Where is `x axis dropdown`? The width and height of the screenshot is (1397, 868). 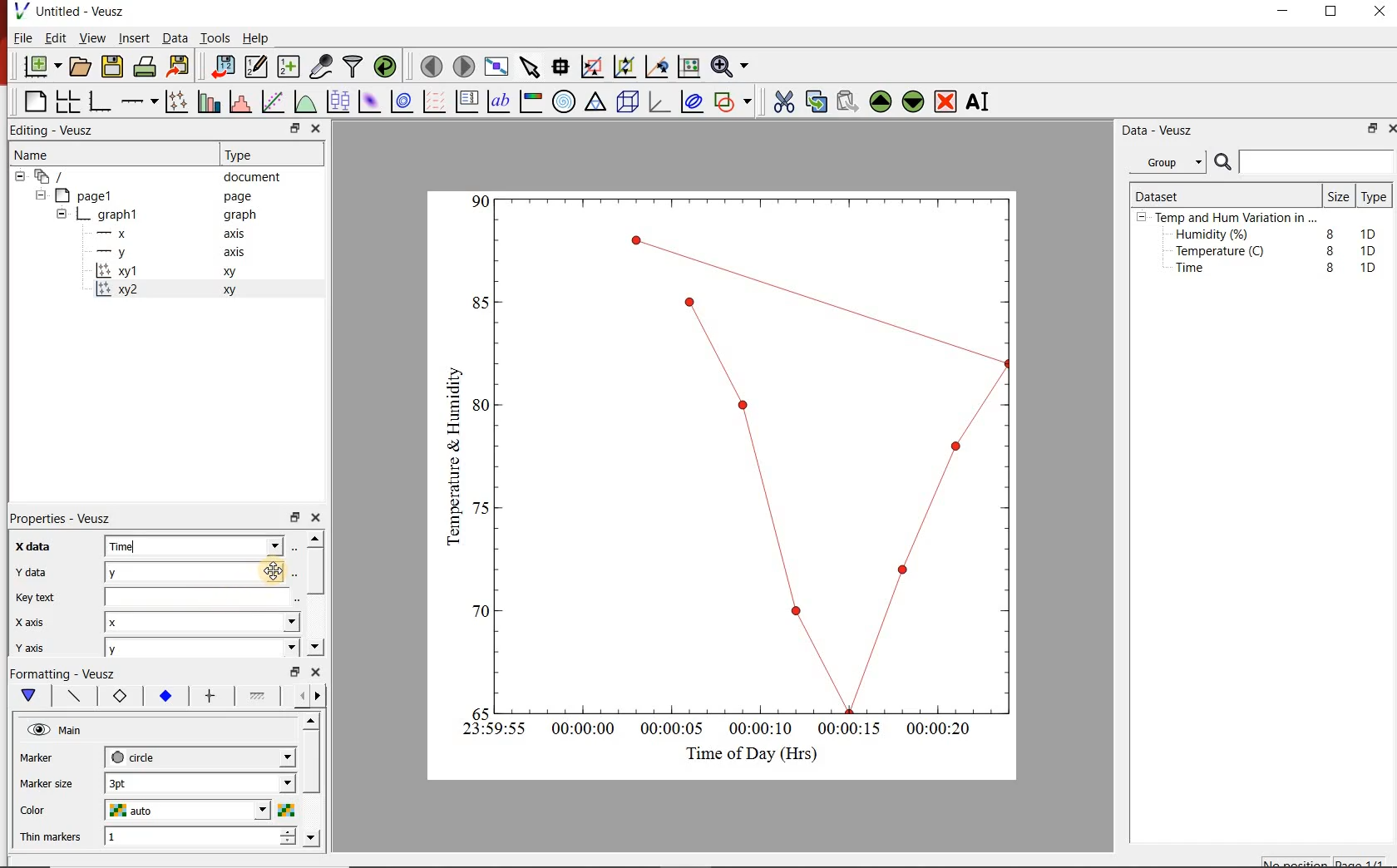
x axis dropdown is located at coordinates (273, 623).